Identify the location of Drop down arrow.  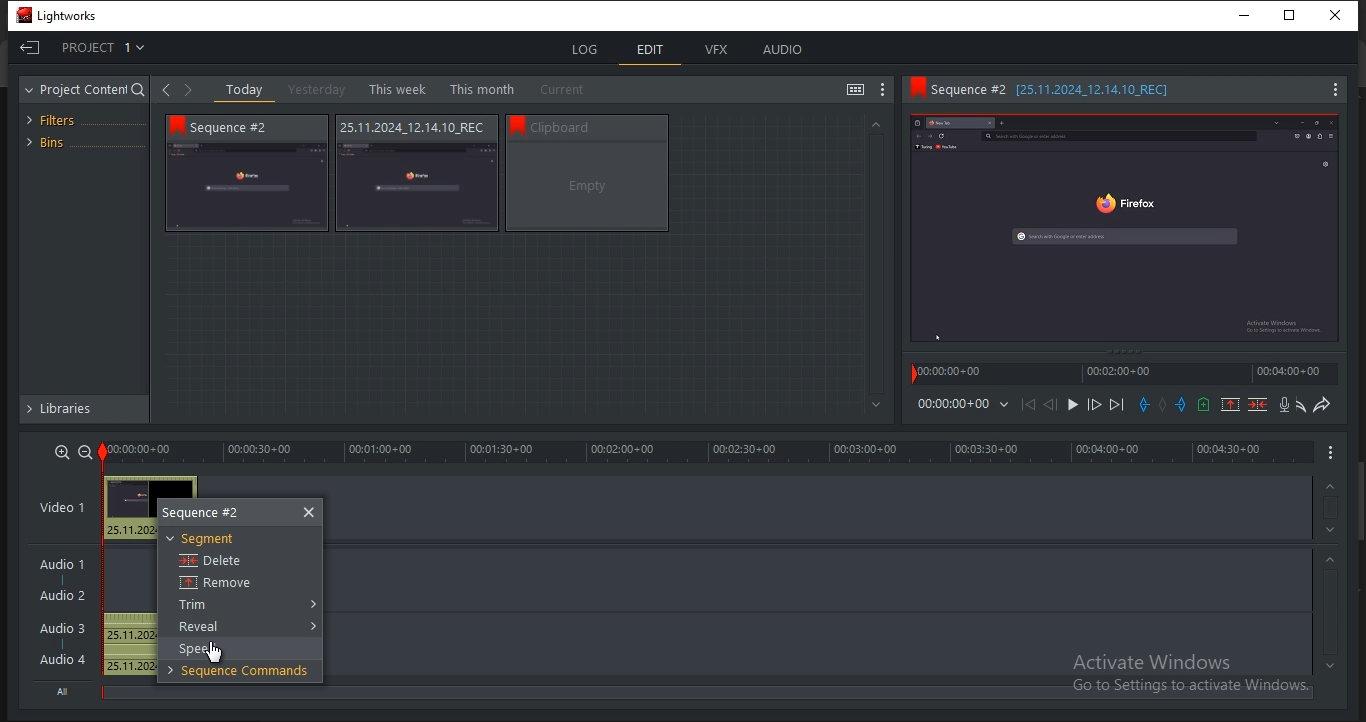
(311, 604).